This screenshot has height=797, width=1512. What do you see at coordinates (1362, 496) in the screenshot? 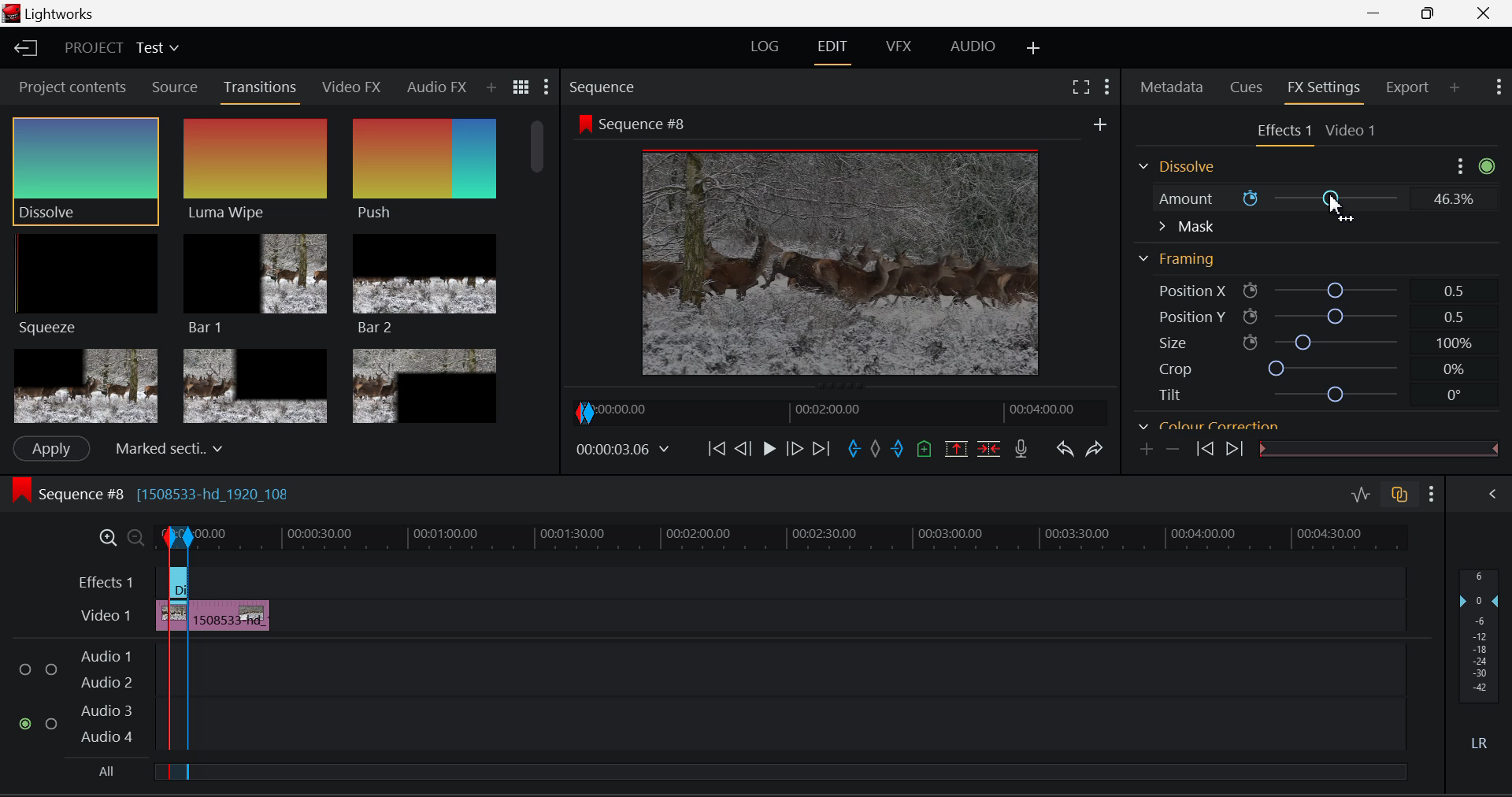
I see `Toggle Audio Level Editing` at bounding box center [1362, 496].